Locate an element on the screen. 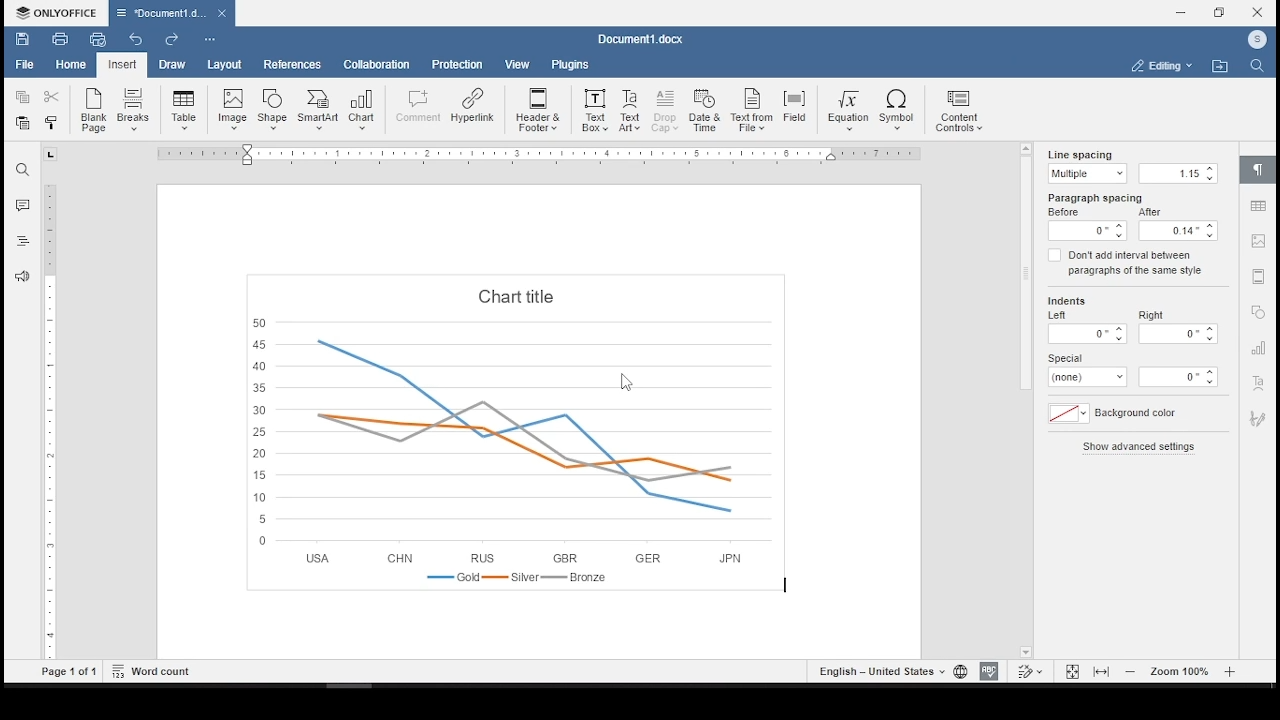  close style is located at coordinates (54, 125).